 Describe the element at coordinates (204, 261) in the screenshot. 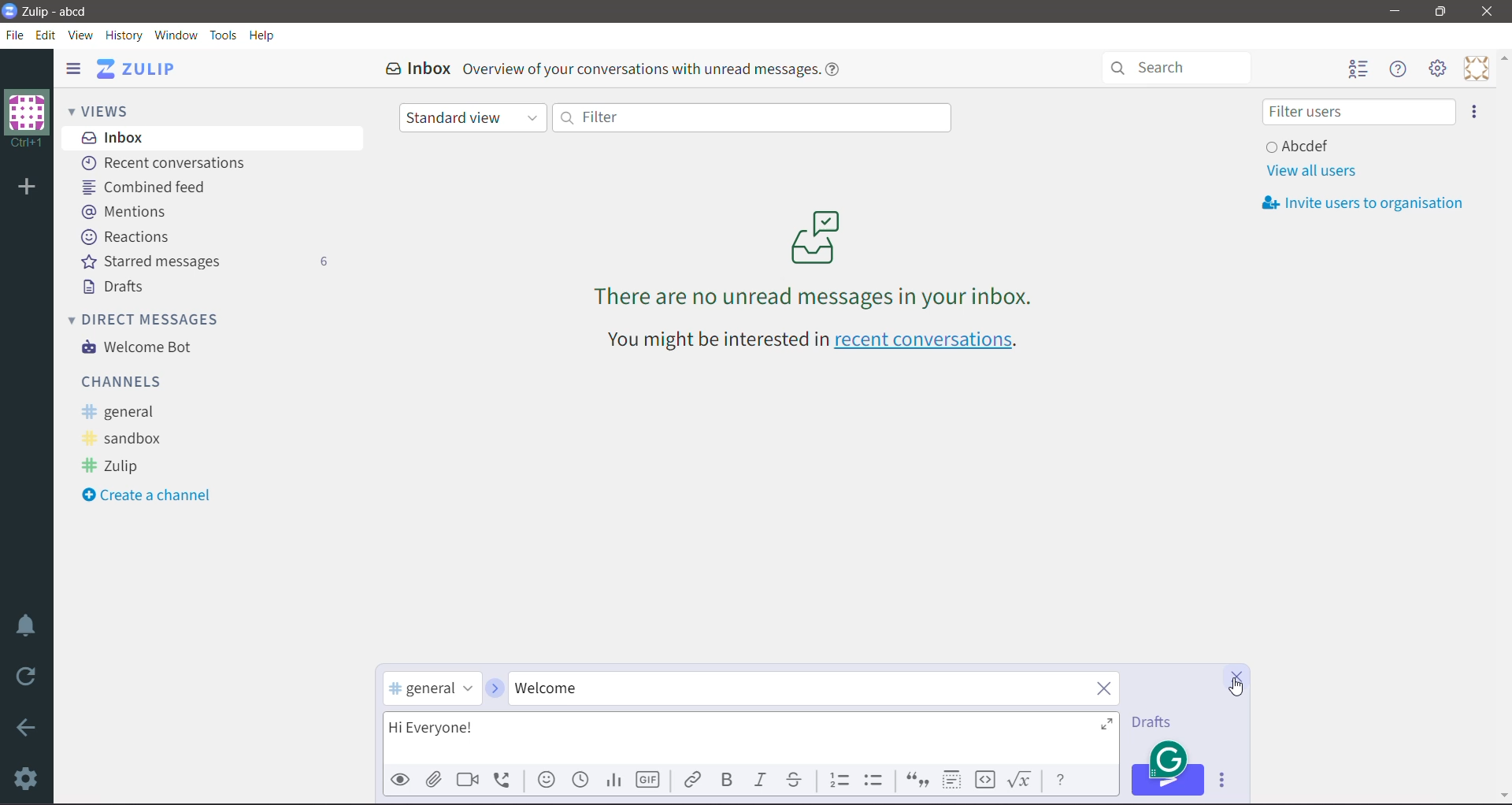

I see `Starred messages` at that location.